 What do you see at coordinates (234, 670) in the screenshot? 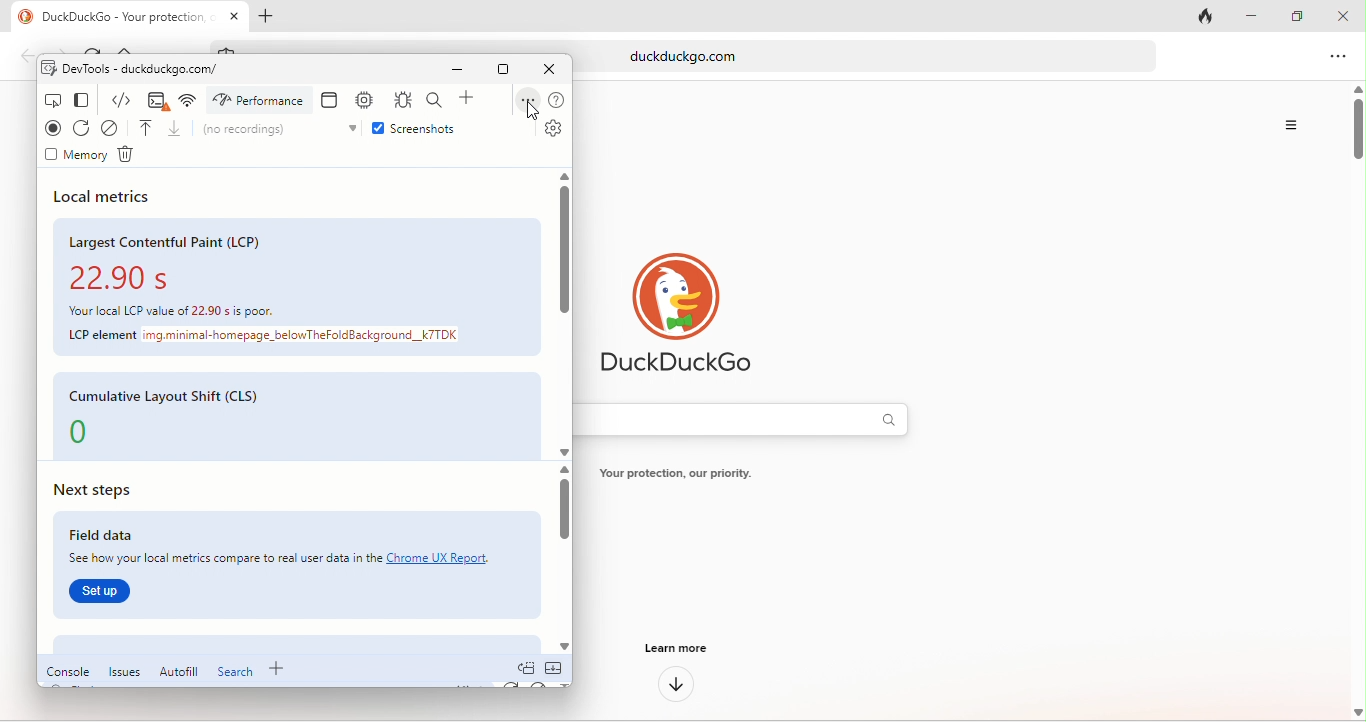
I see `search` at bounding box center [234, 670].